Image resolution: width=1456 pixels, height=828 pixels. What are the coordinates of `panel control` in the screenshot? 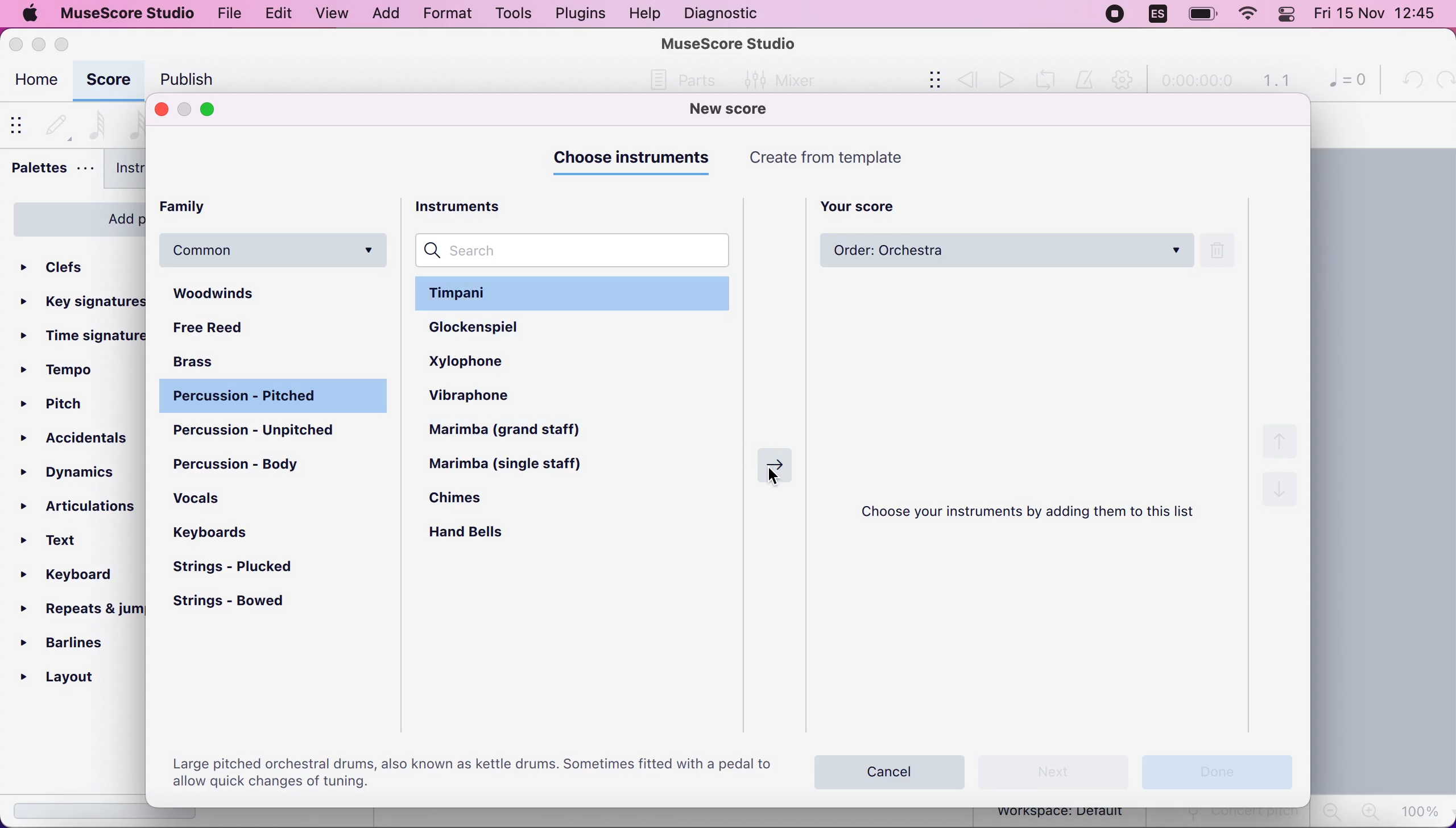 It's located at (1289, 15).